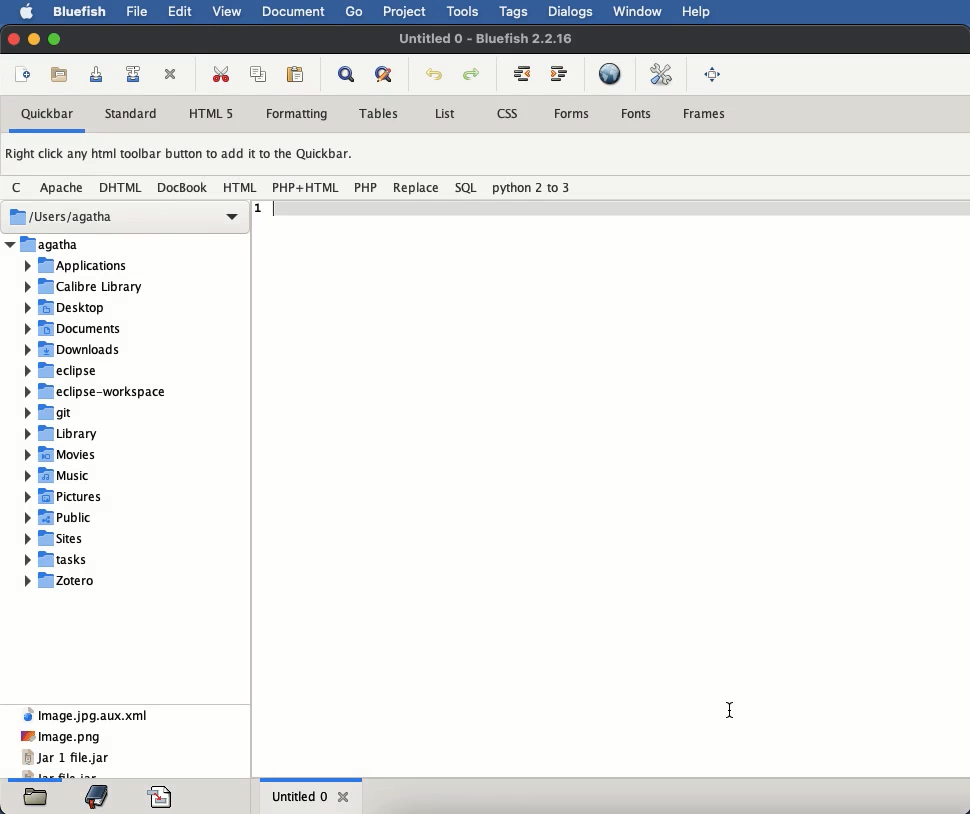  I want to click on standard, so click(131, 114).